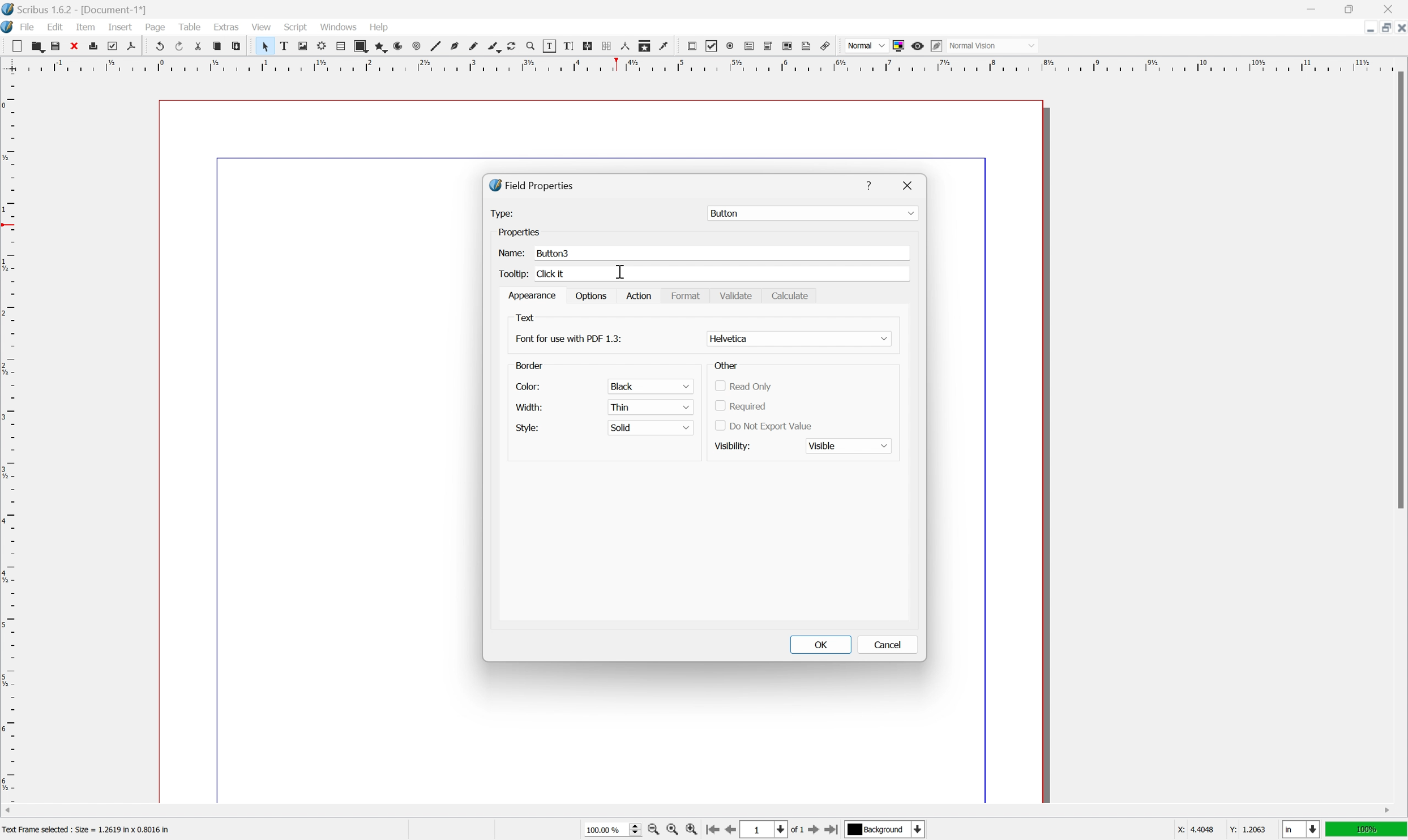 The width and height of the screenshot is (1408, 840). What do you see at coordinates (570, 338) in the screenshot?
I see `Font for use with pdf 1.3` at bounding box center [570, 338].